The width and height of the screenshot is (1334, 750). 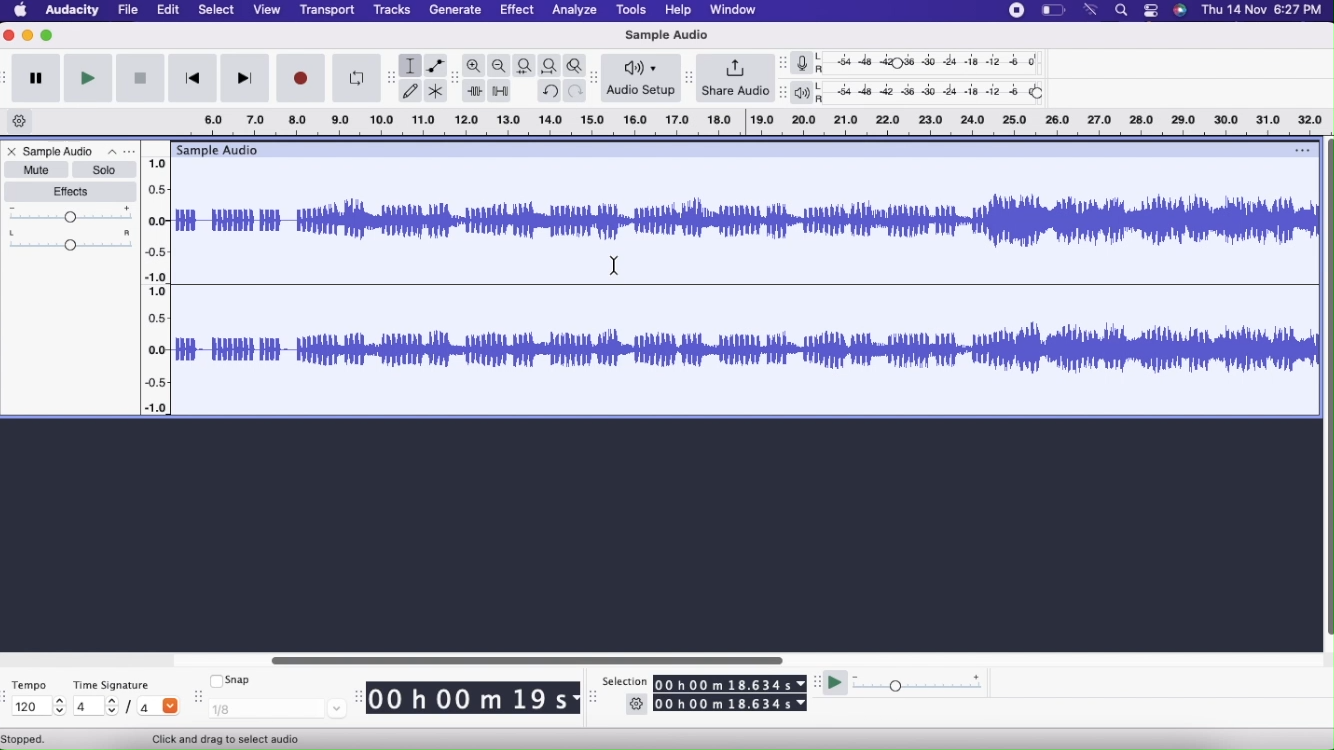 What do you see at coordinates (300, 79) in the screenshot?
I see `Record` at bounding box center [300, 79].